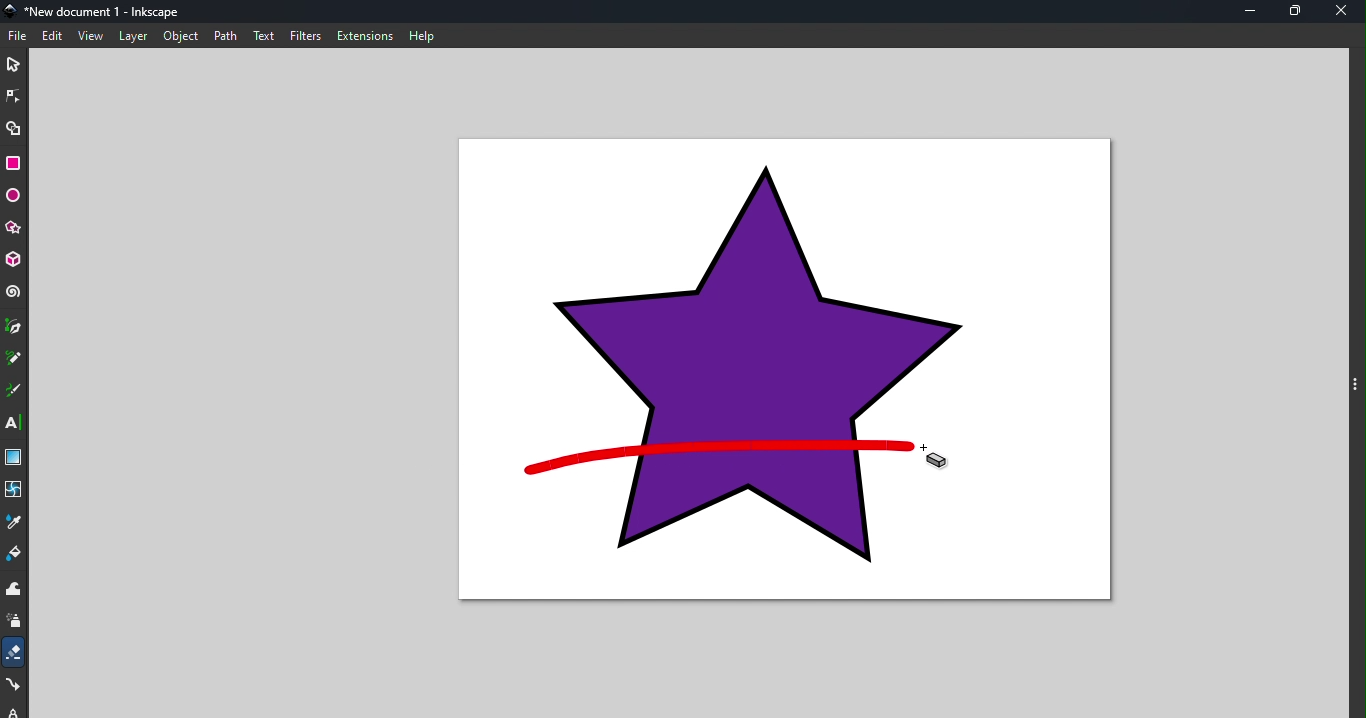 The height and width of the screenshot is (718, 1366). What do you see at coordinates (15, 686) in the screenshot?
I see `connector tool` at bounding box center [15, 686].